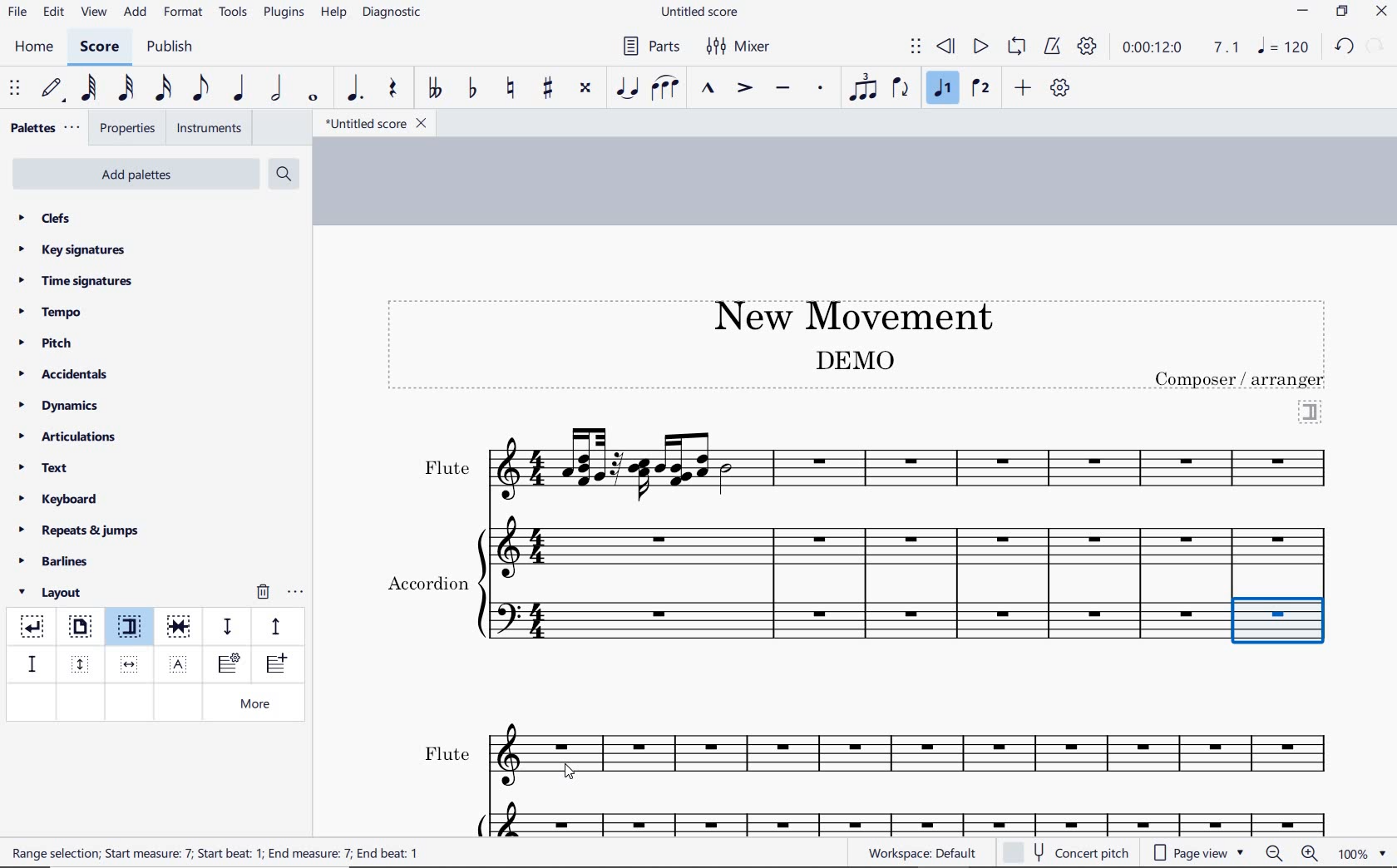 The height and width of the screenshot is (868, 1397). I want to click on tempo, so click(55, 311).